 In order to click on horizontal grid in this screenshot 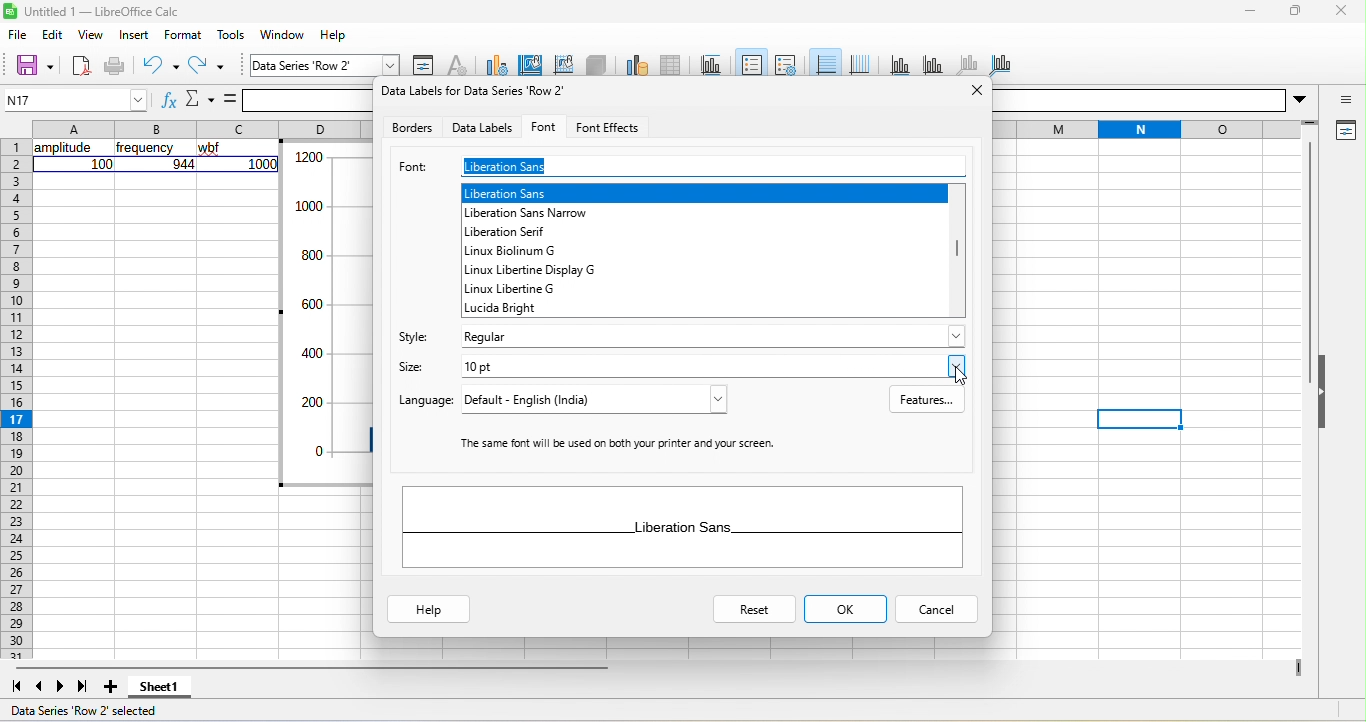, I will do `click(824, 61)`.